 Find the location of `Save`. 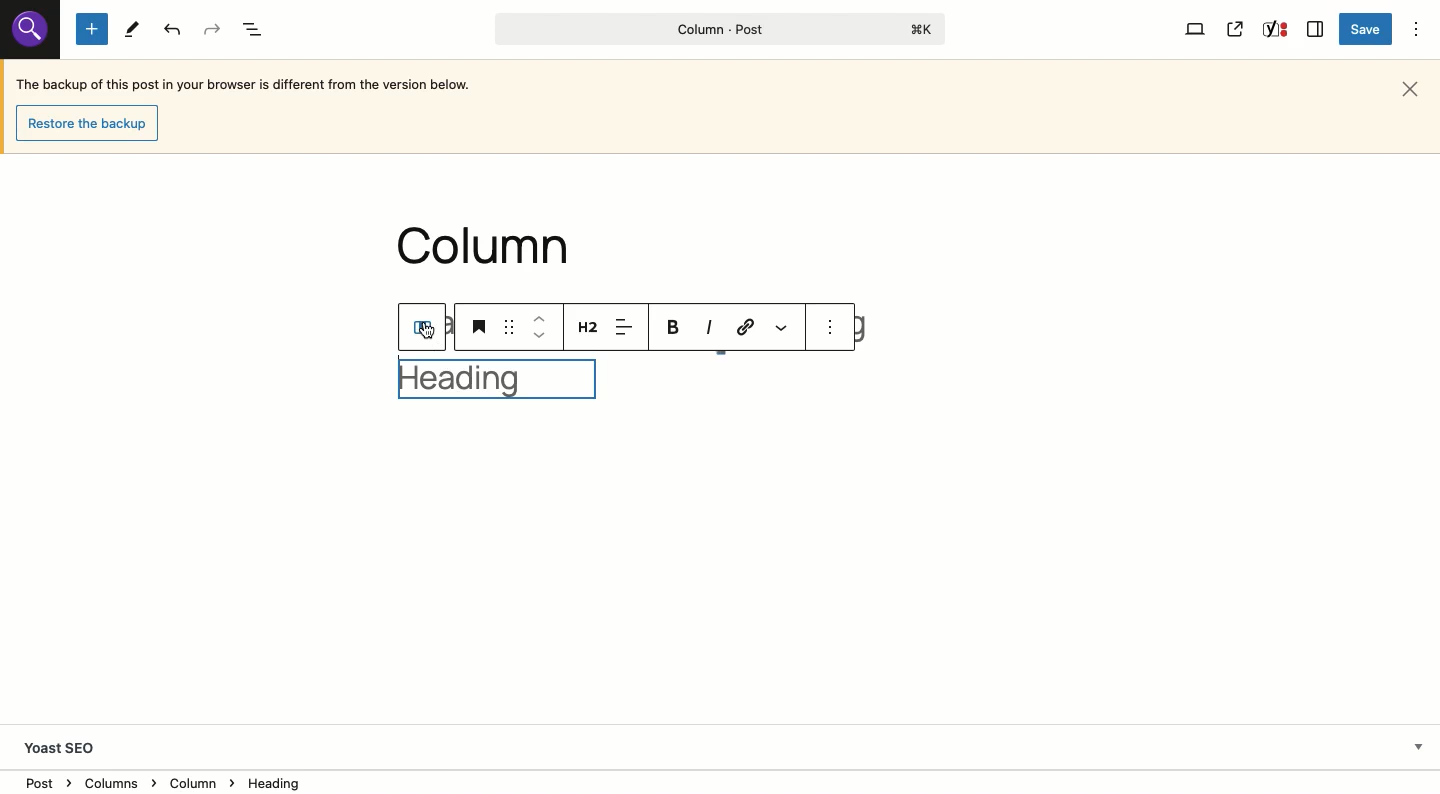

Save is located at coordinates (1368, 30).